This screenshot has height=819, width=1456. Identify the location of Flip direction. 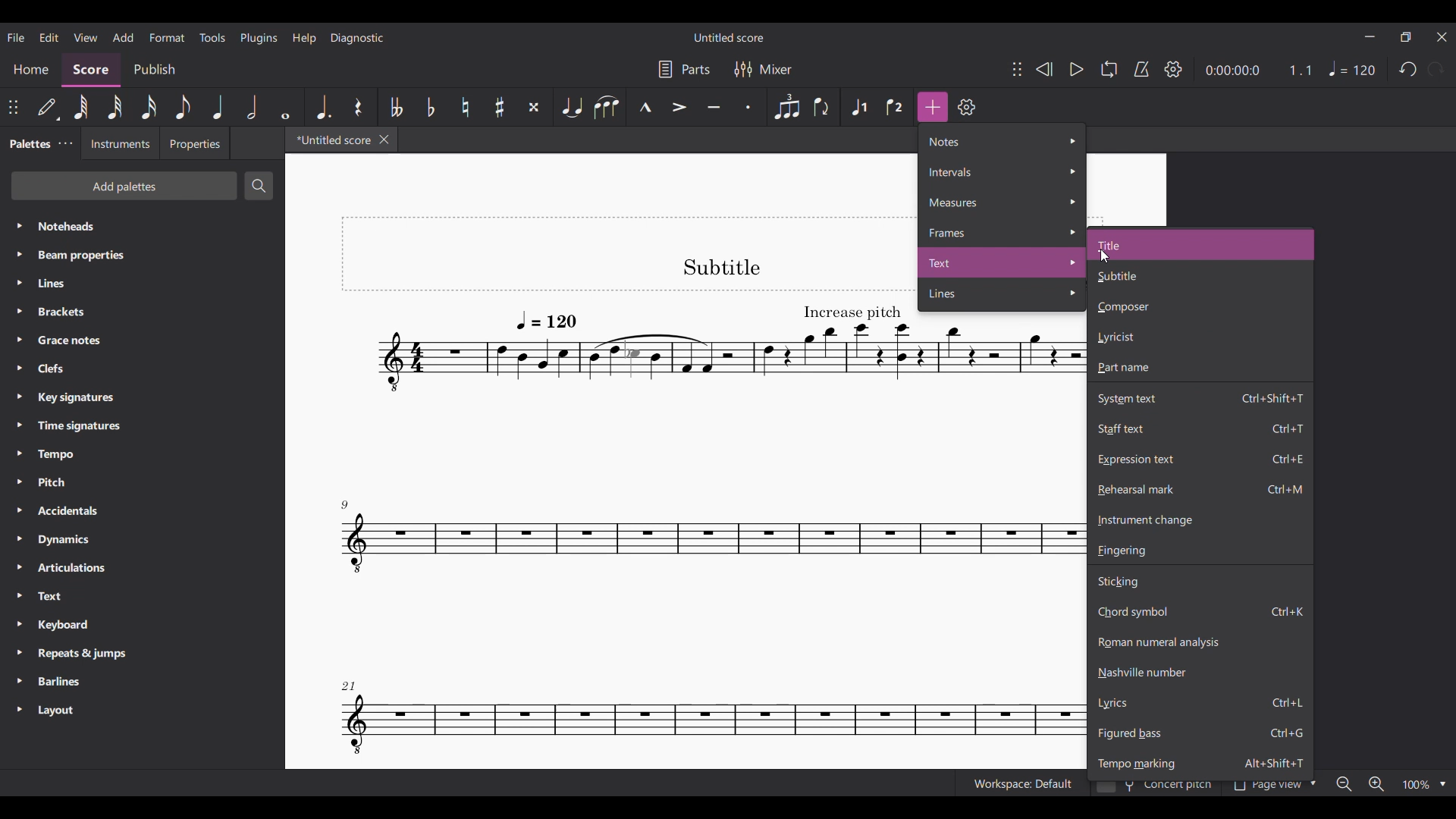
(824, 107).